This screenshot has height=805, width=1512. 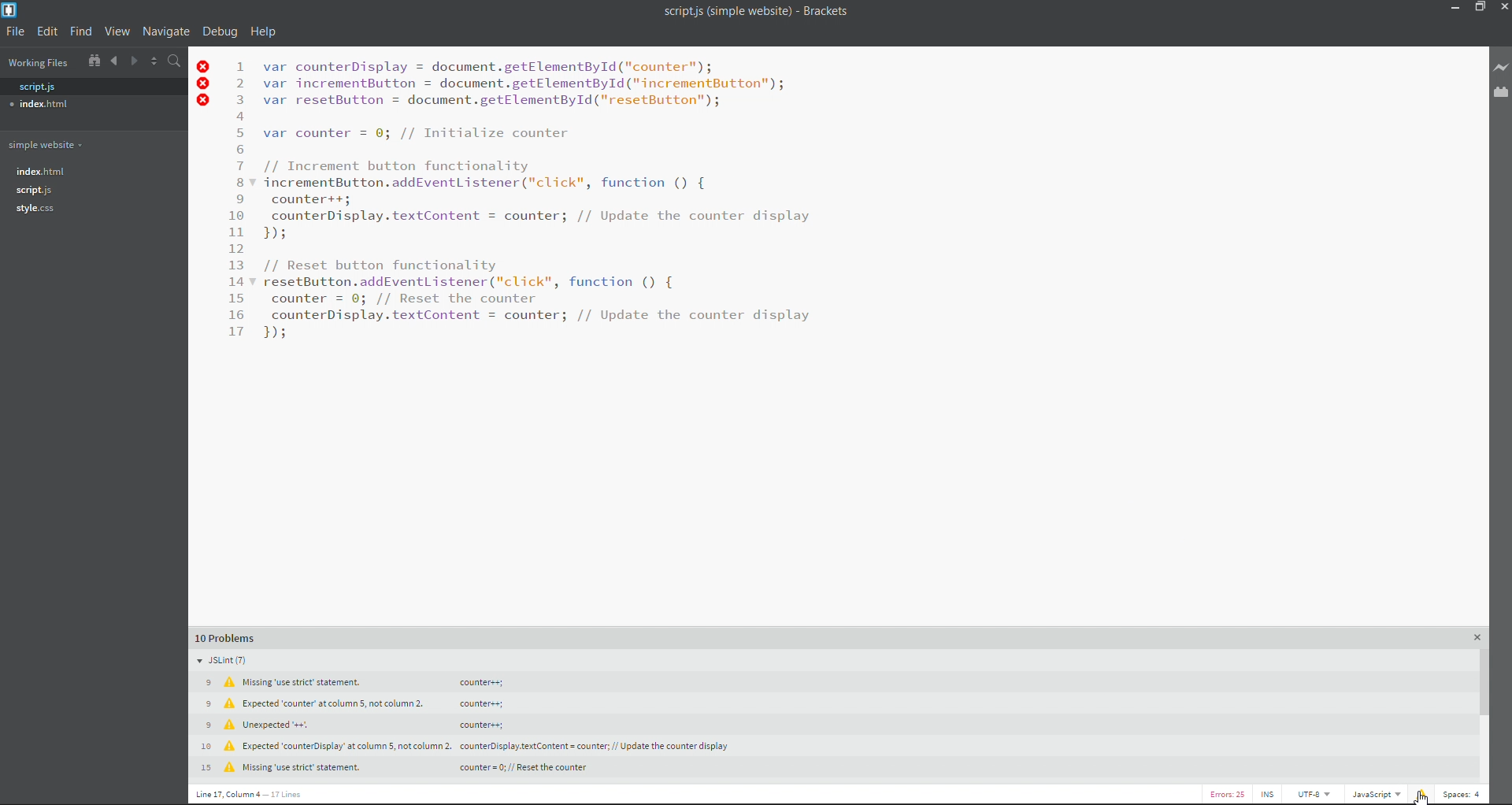 I want to click on file, so click(x=13, y=33).